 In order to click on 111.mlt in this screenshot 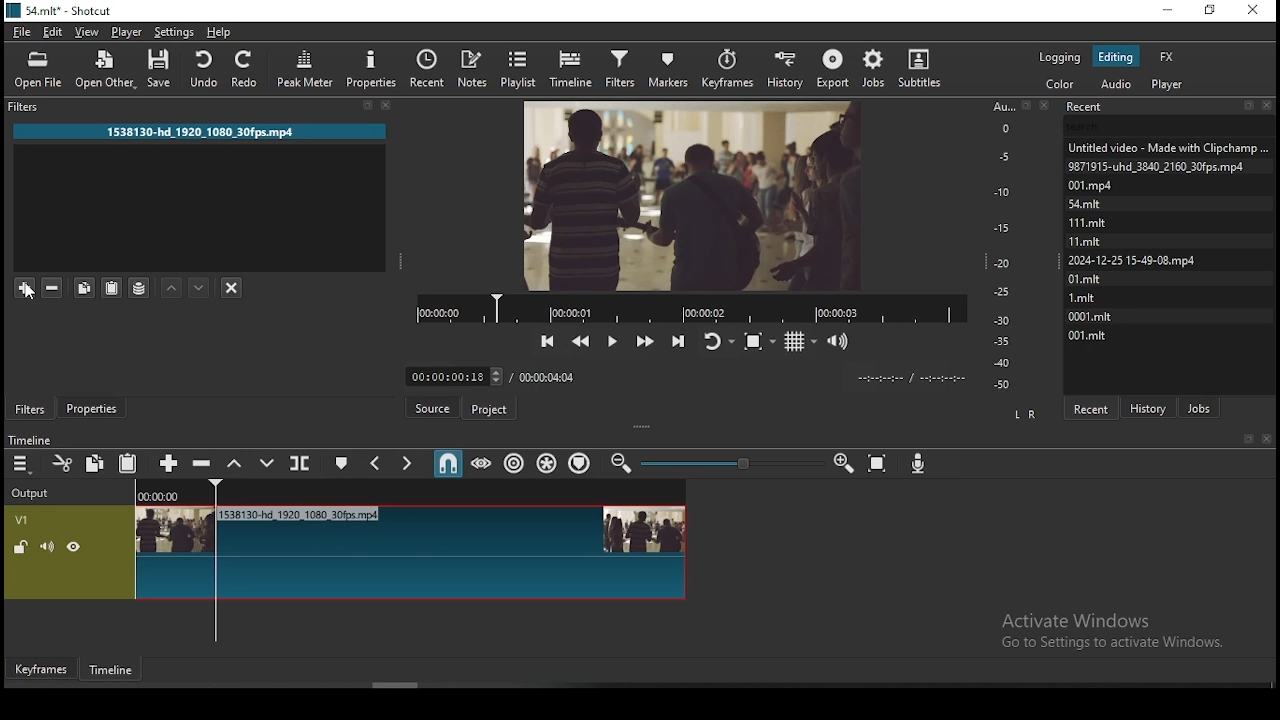, I will do `click(1087, 220)`.